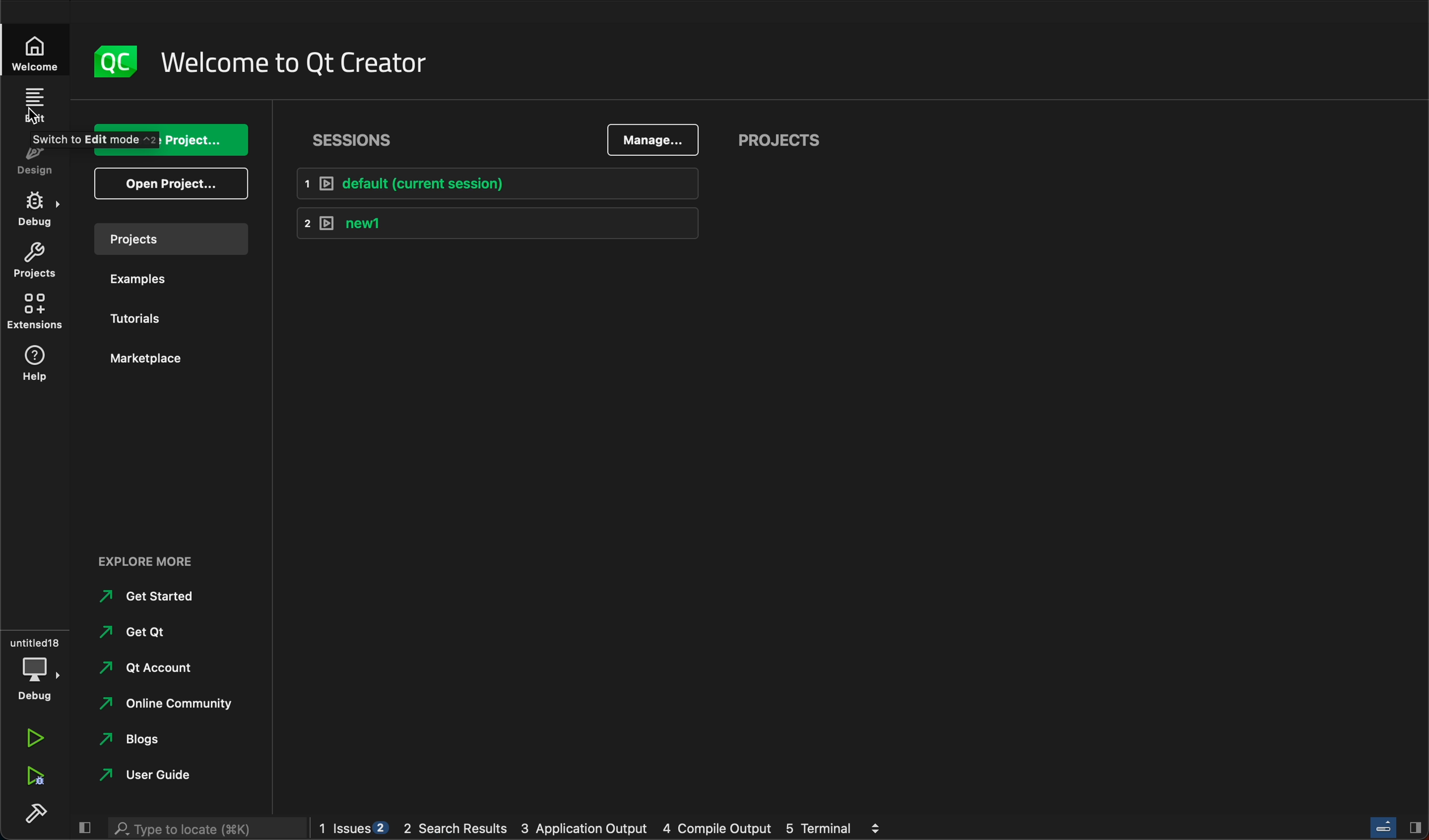 The width and height of the screenshot is (1429, 840). I want to click on welcome, so click(303, 61).